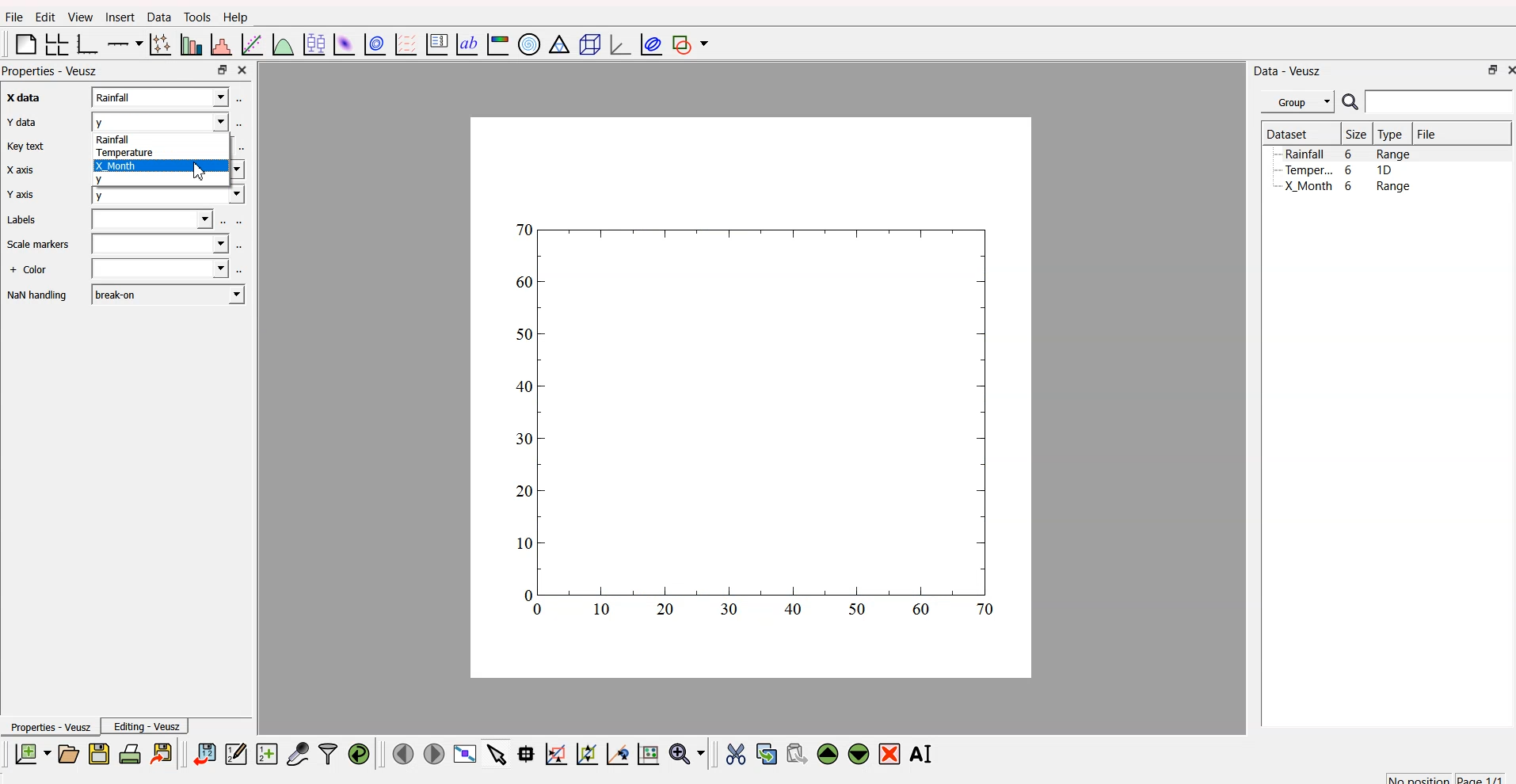 The height and width of the screenshot is (784, 1516). What do you see at coordinates (119, 17) in the screenshot?
I see `Insert` at bounding box center [119, 17].